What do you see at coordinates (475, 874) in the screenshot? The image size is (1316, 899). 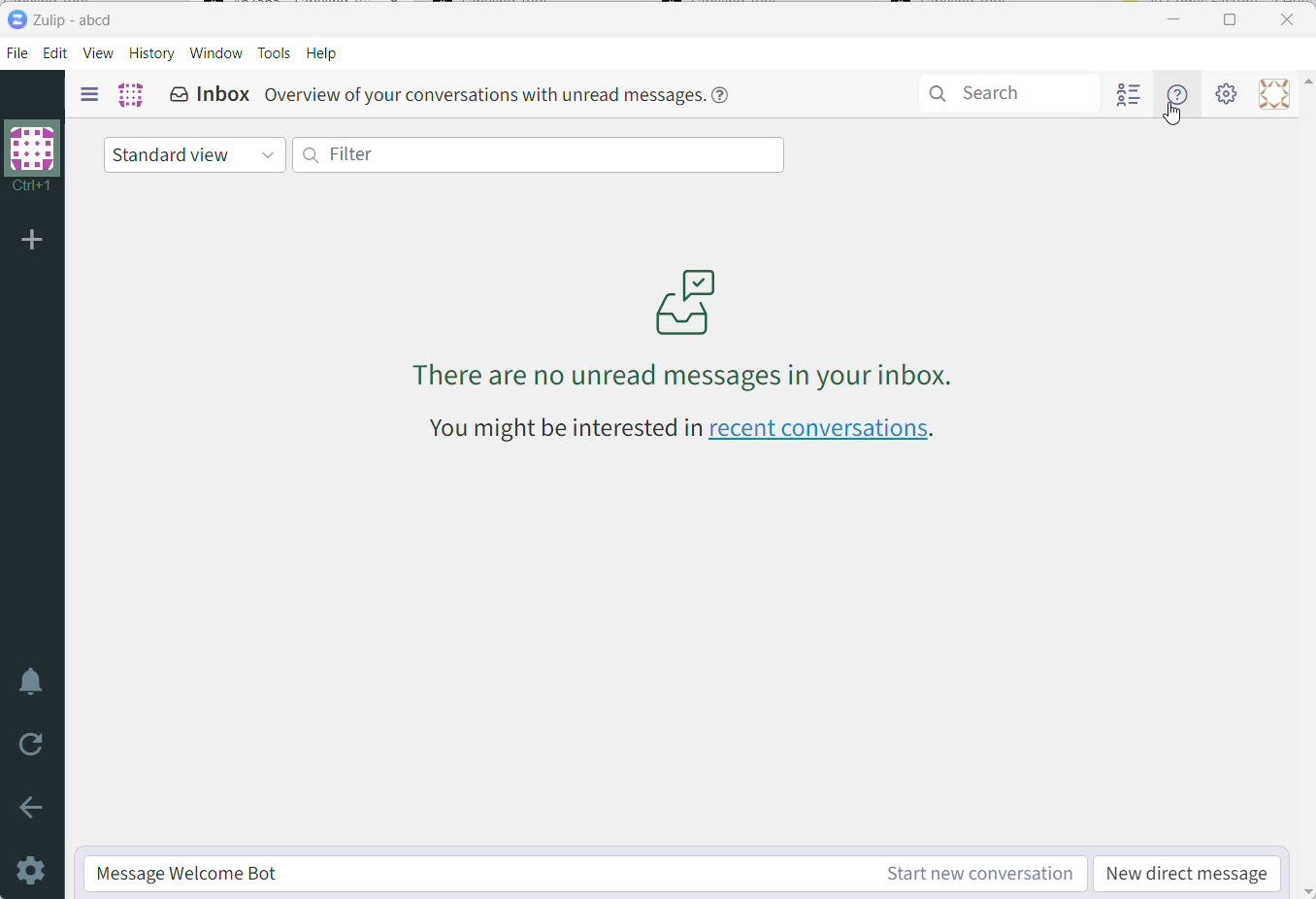 I see `Message Welcome Bot` at bounding box center [475, 874].